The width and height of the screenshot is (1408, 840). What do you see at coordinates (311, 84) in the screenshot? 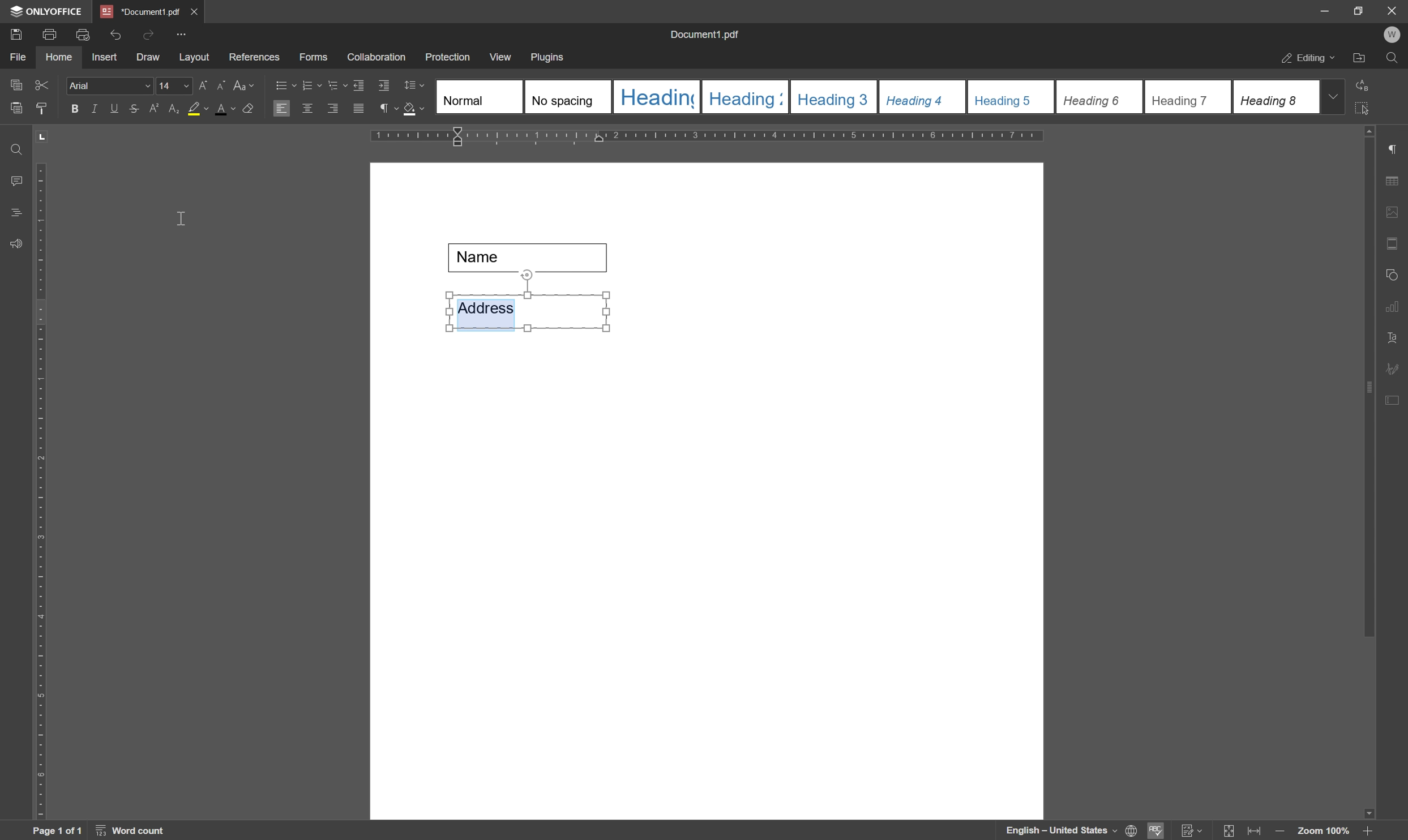
I see `numbering` at bounding box center [311, 84].